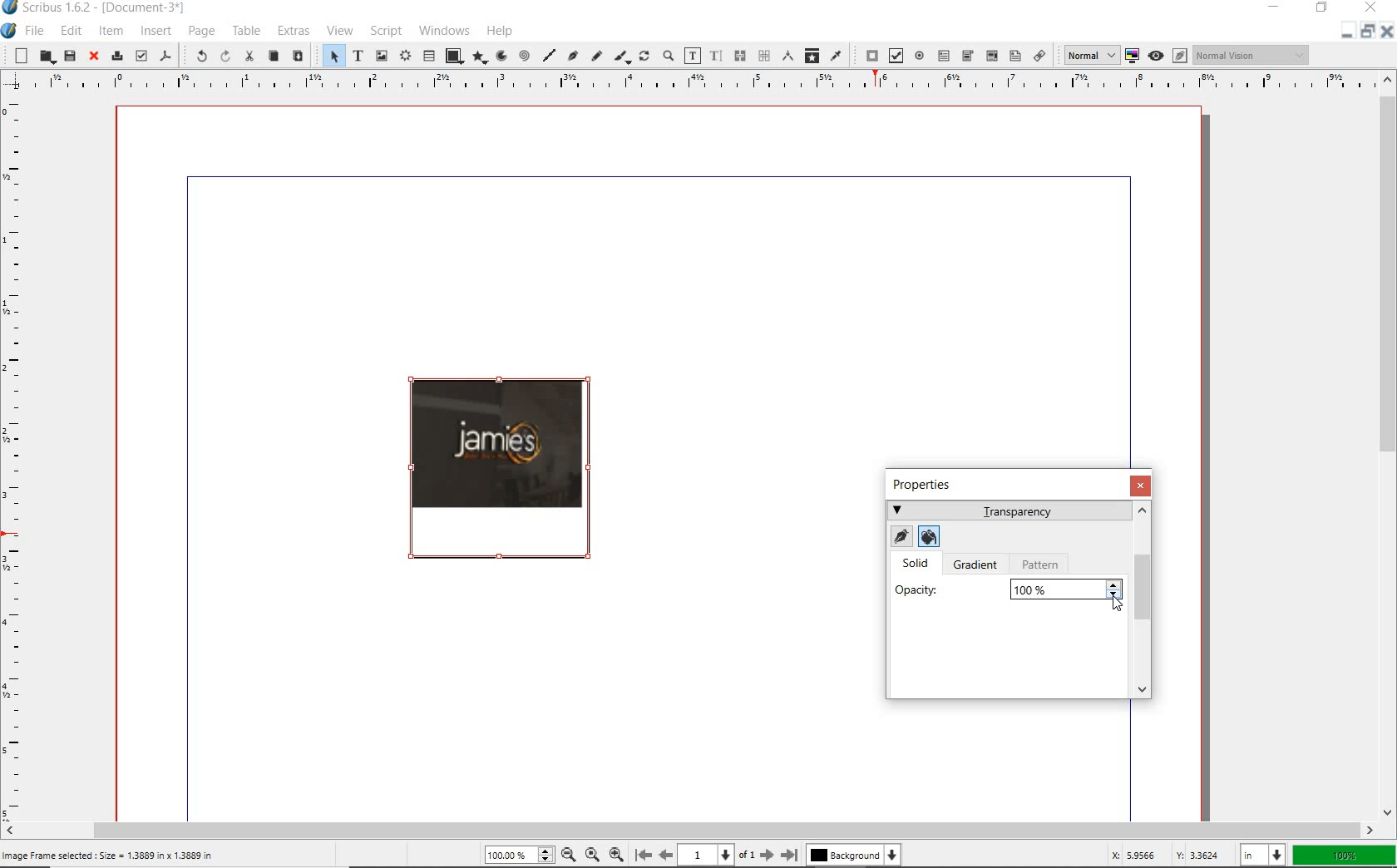  What do you see at coordinates (111, 855) in the screenshot?
I see `INSERT AN IMAGE FRAME` at bounding box center [111, 855].